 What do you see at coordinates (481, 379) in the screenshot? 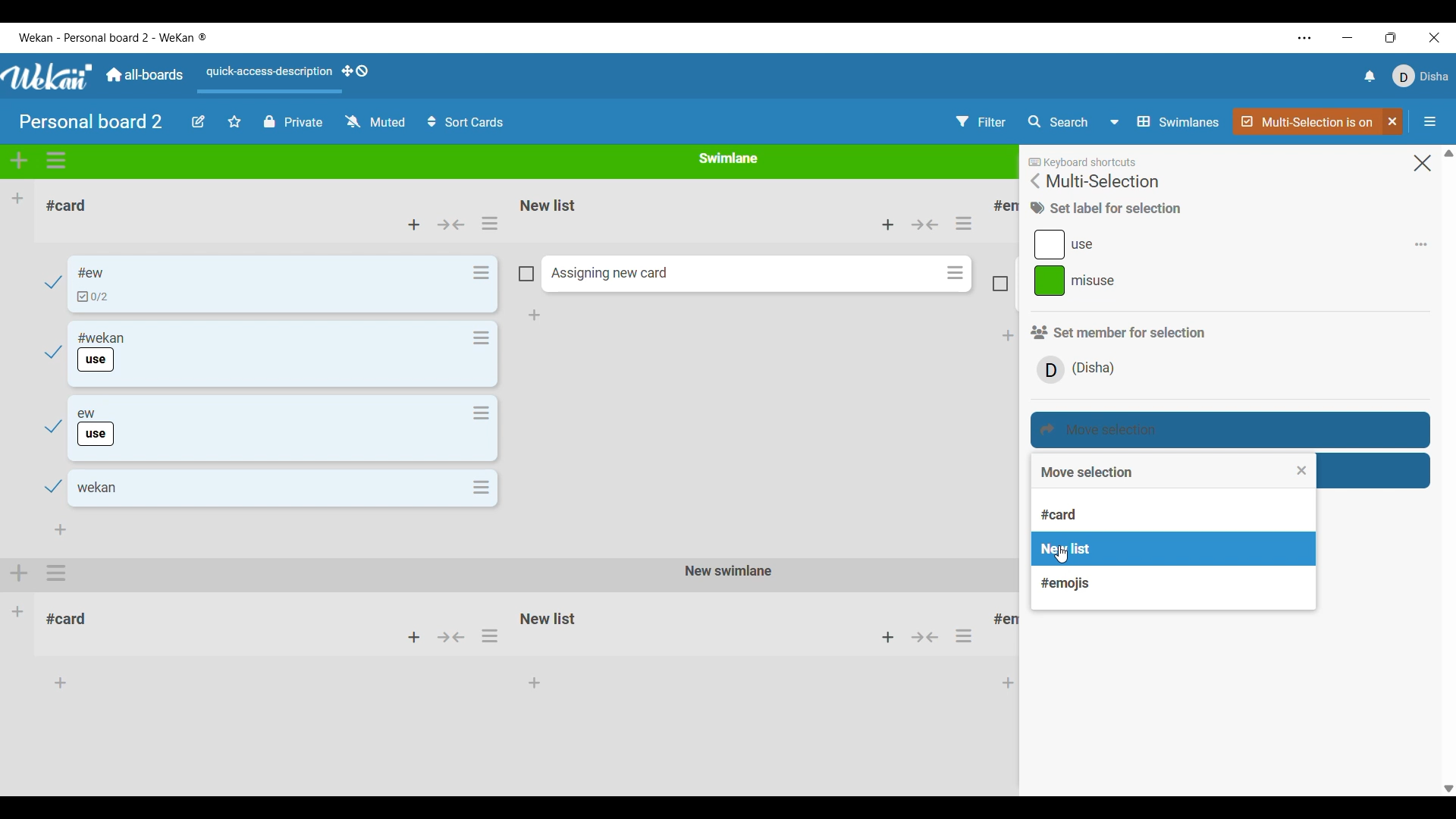
I see `Card actions for respective card in the list` at bounding box center [481, 379].